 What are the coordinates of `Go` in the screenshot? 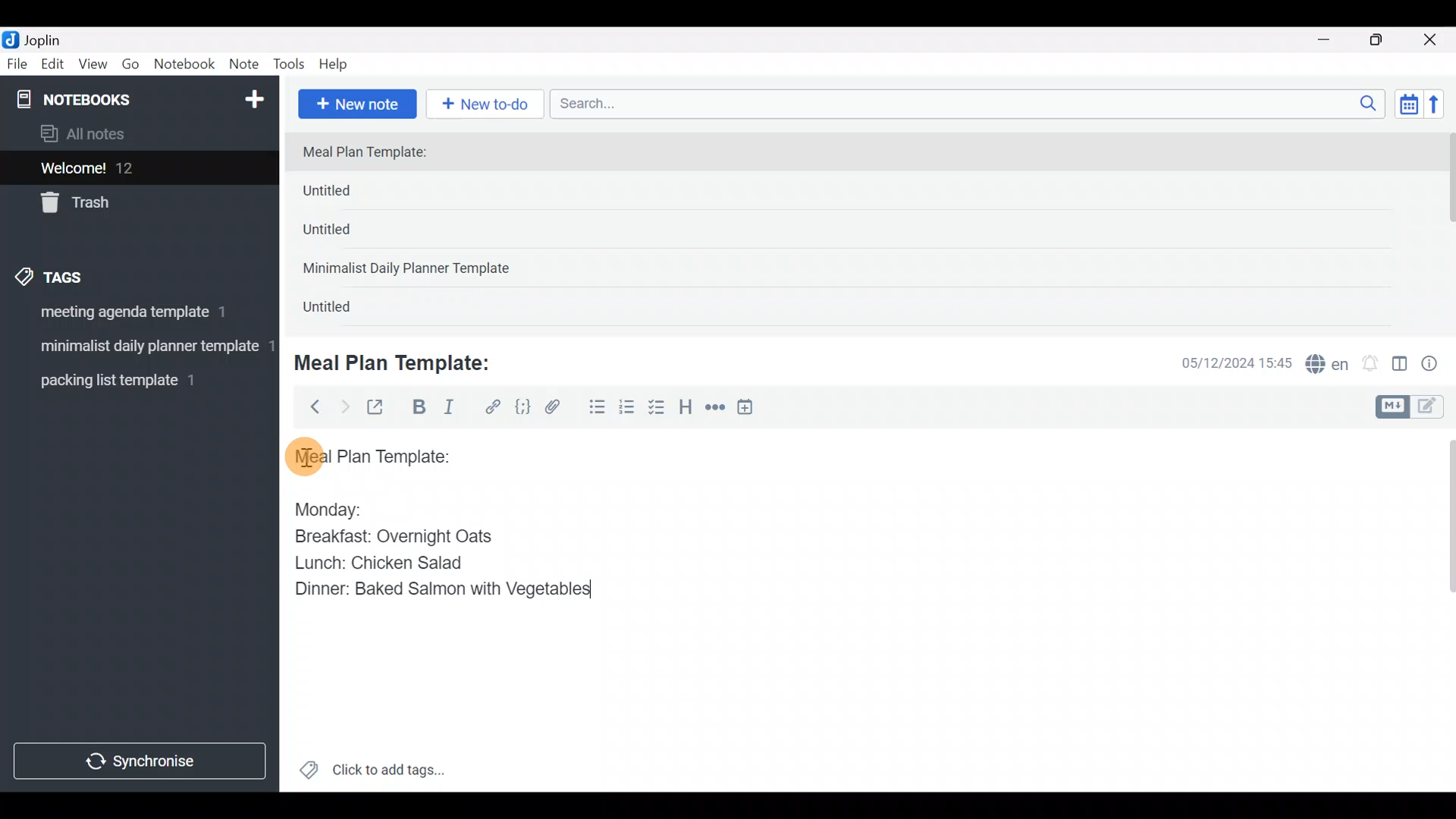 It's located at (130, 67).